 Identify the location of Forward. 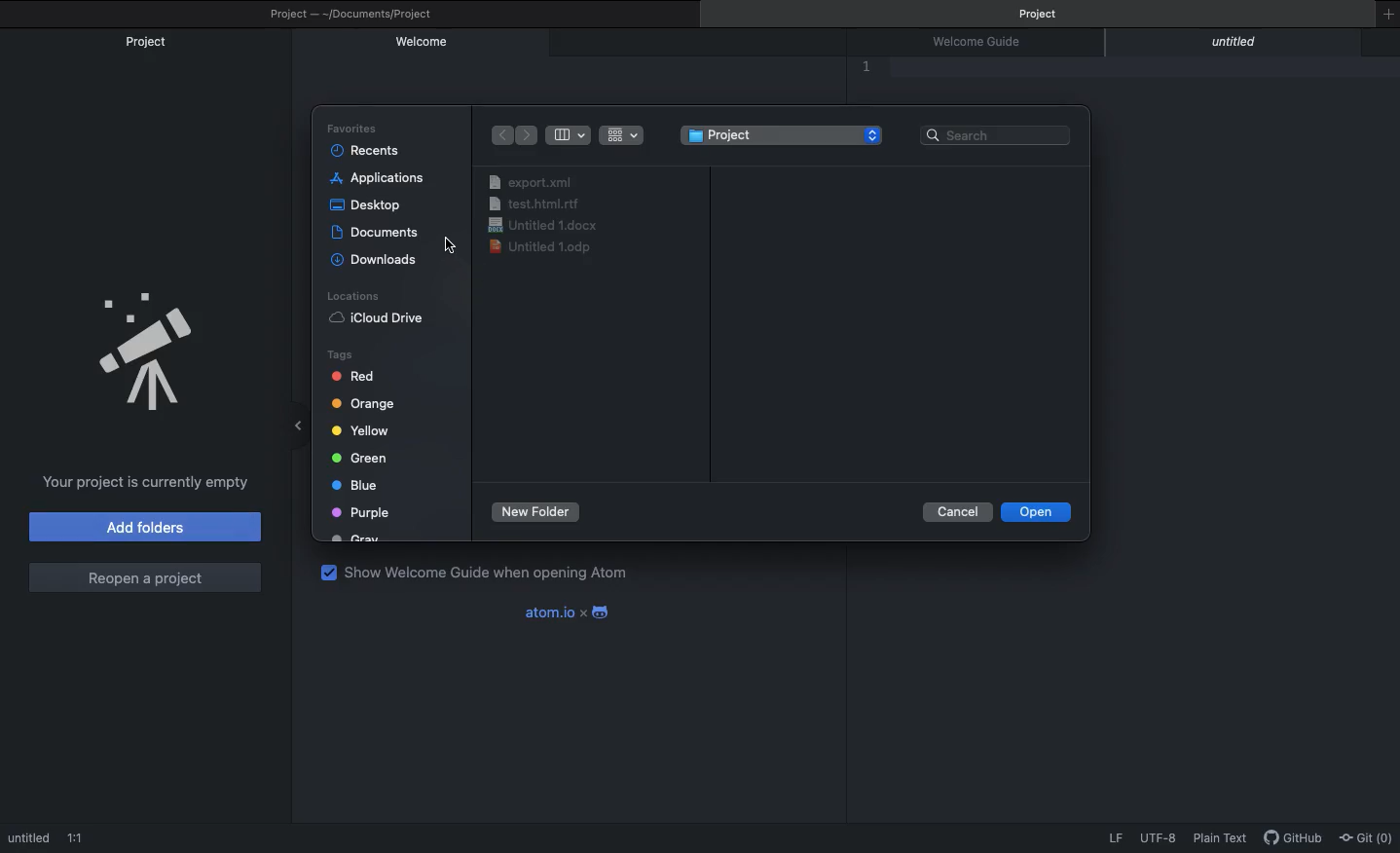
(527, 136).